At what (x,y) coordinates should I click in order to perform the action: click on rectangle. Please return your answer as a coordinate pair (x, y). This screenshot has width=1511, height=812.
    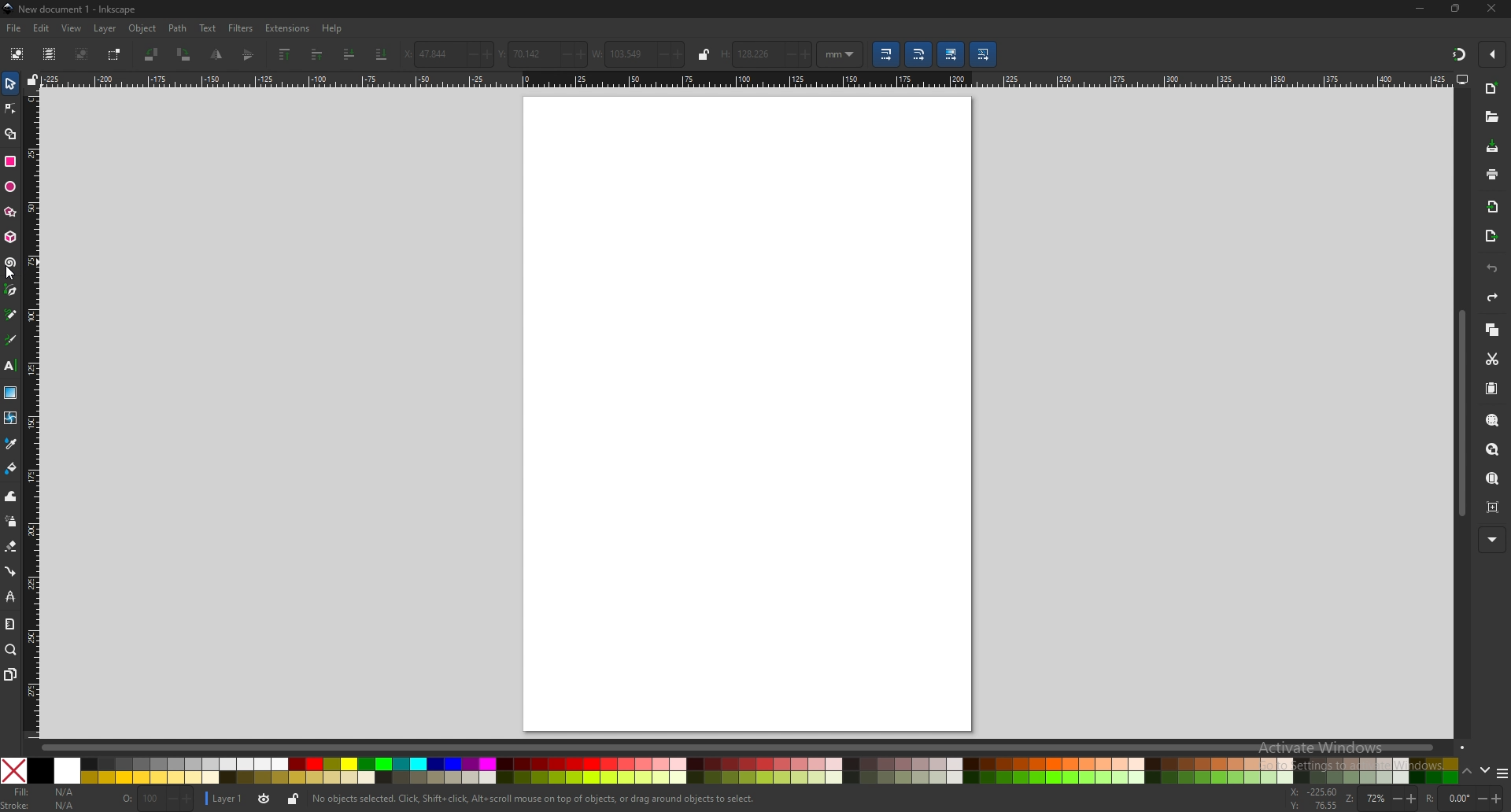
    Looking at the image, I should click on (12, 161).